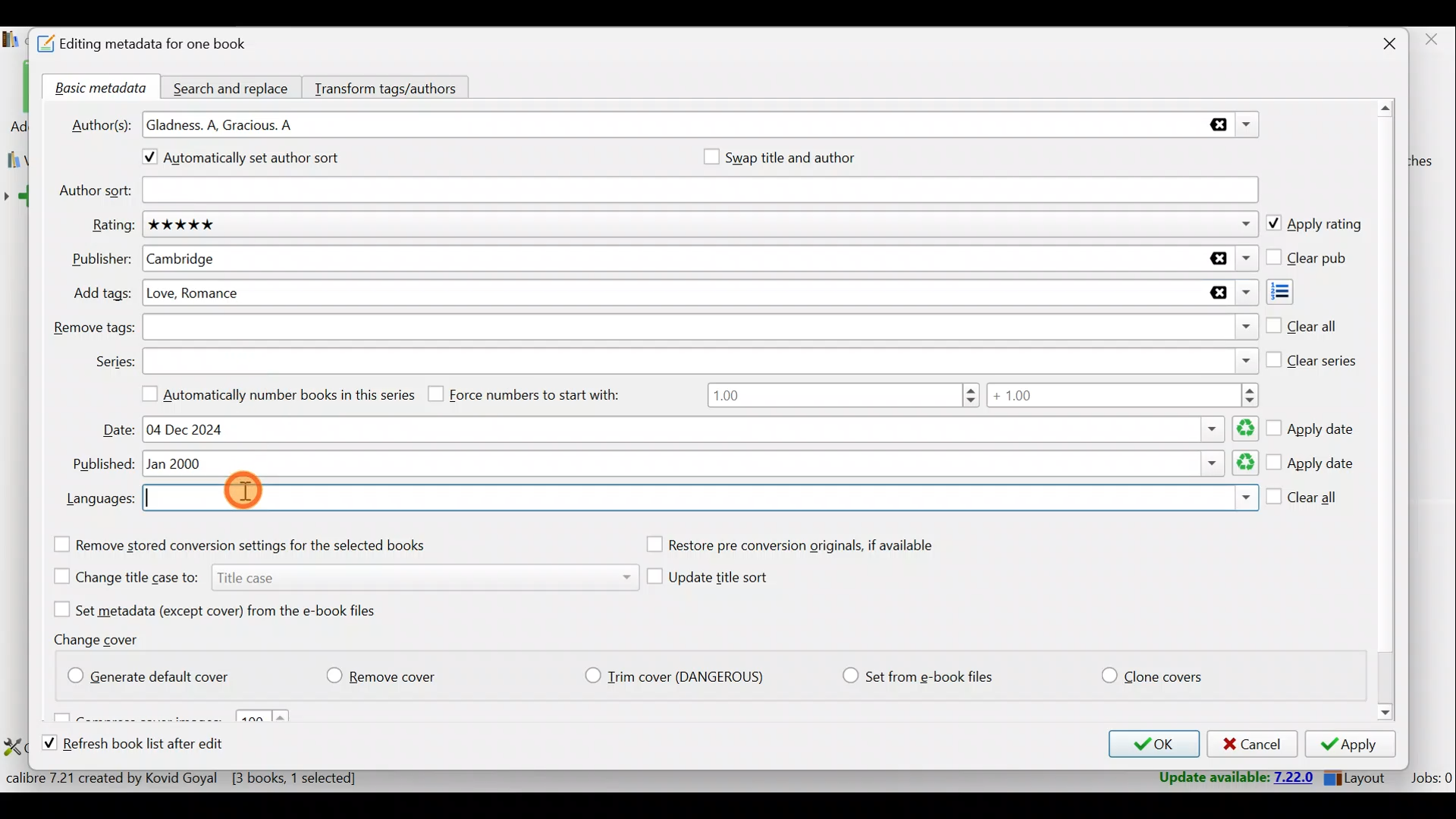  I want to click on Author(s):, so click(101, 123).